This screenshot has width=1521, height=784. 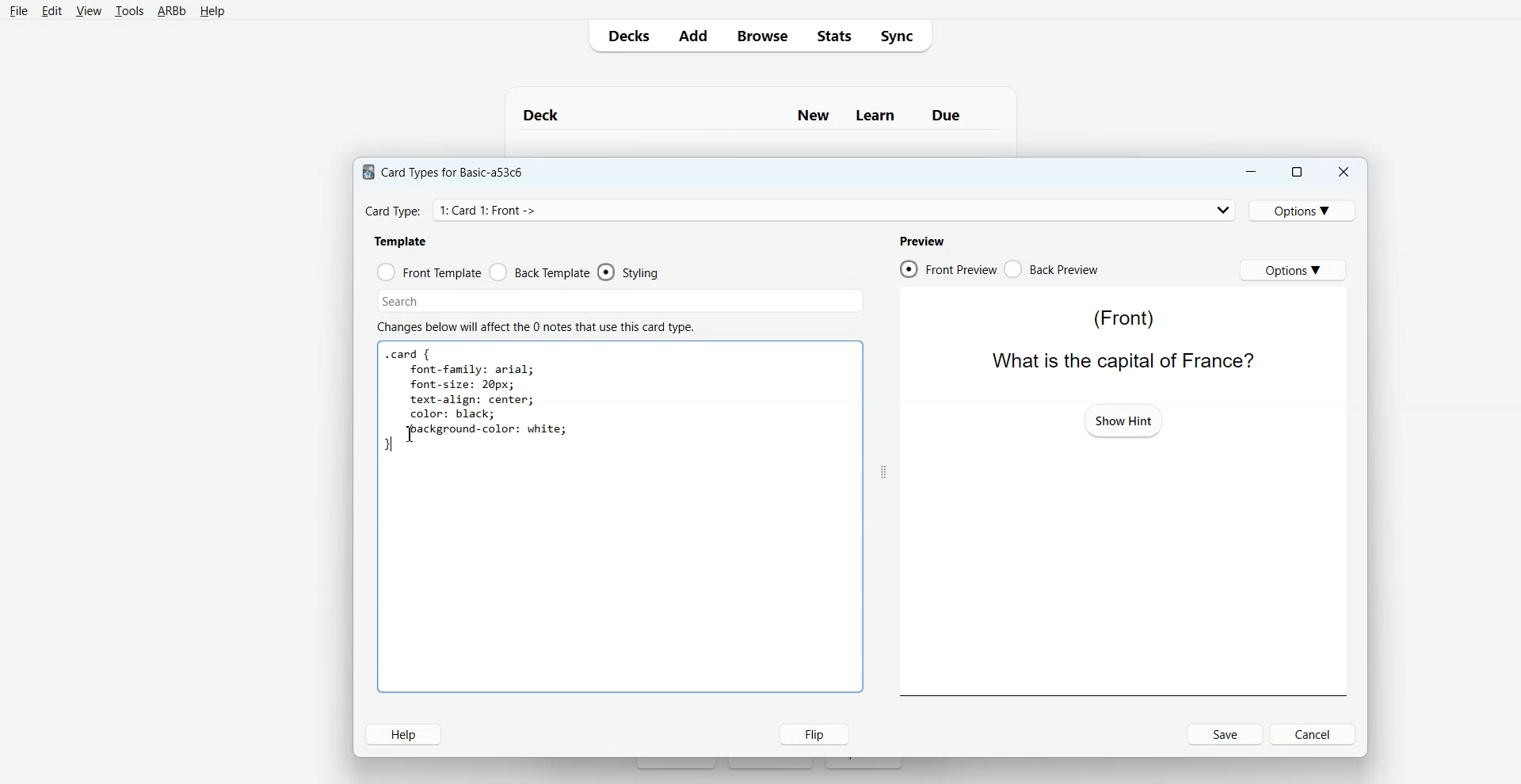 What do you see at coordinates (1305, 210) in the screenshot?
I see `Options` at bounding box center [1305, 210].